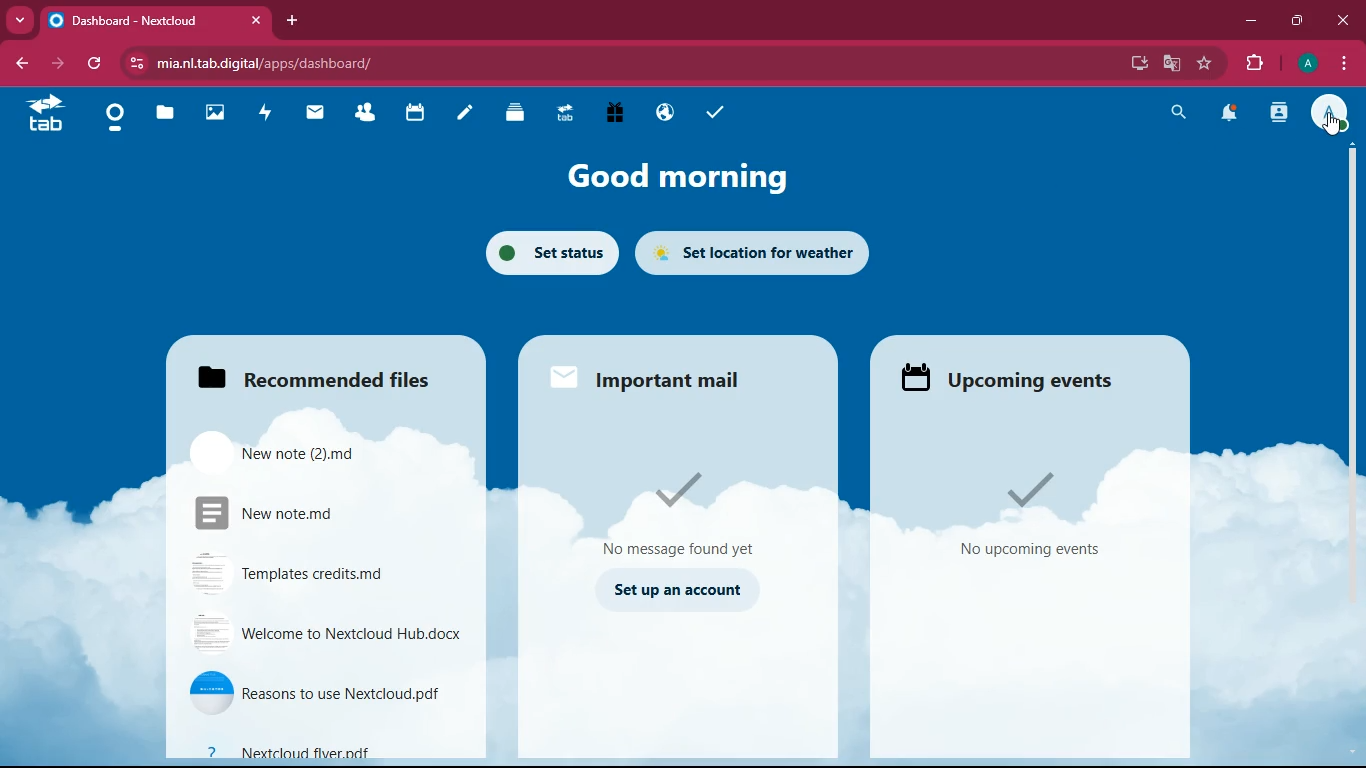 This screenshot has height=768, width=1366. Describe the element at coordinates (1013, 376) in the screenshot. I see `upcoming events` at that location.